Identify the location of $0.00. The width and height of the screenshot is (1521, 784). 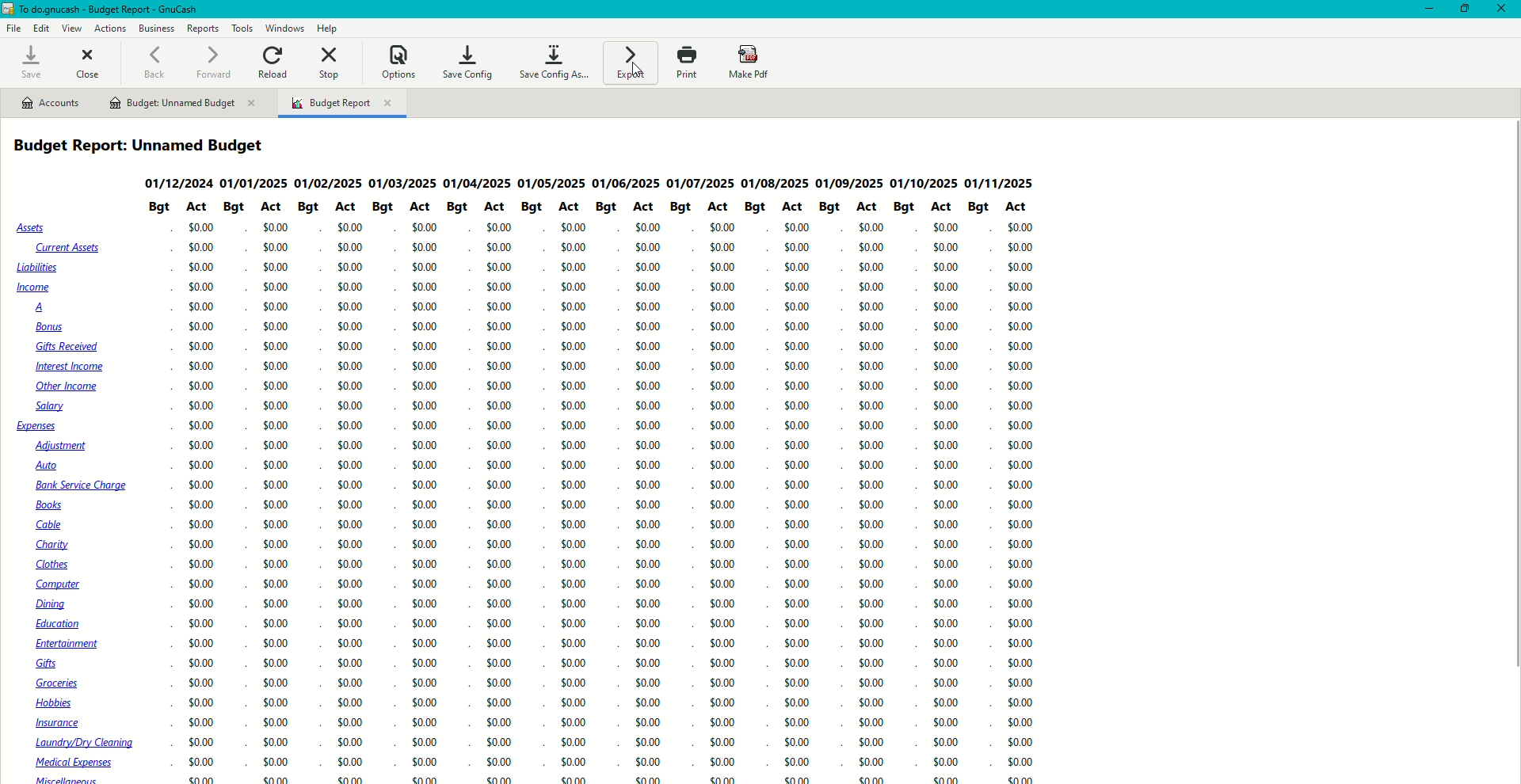
(421, 665).